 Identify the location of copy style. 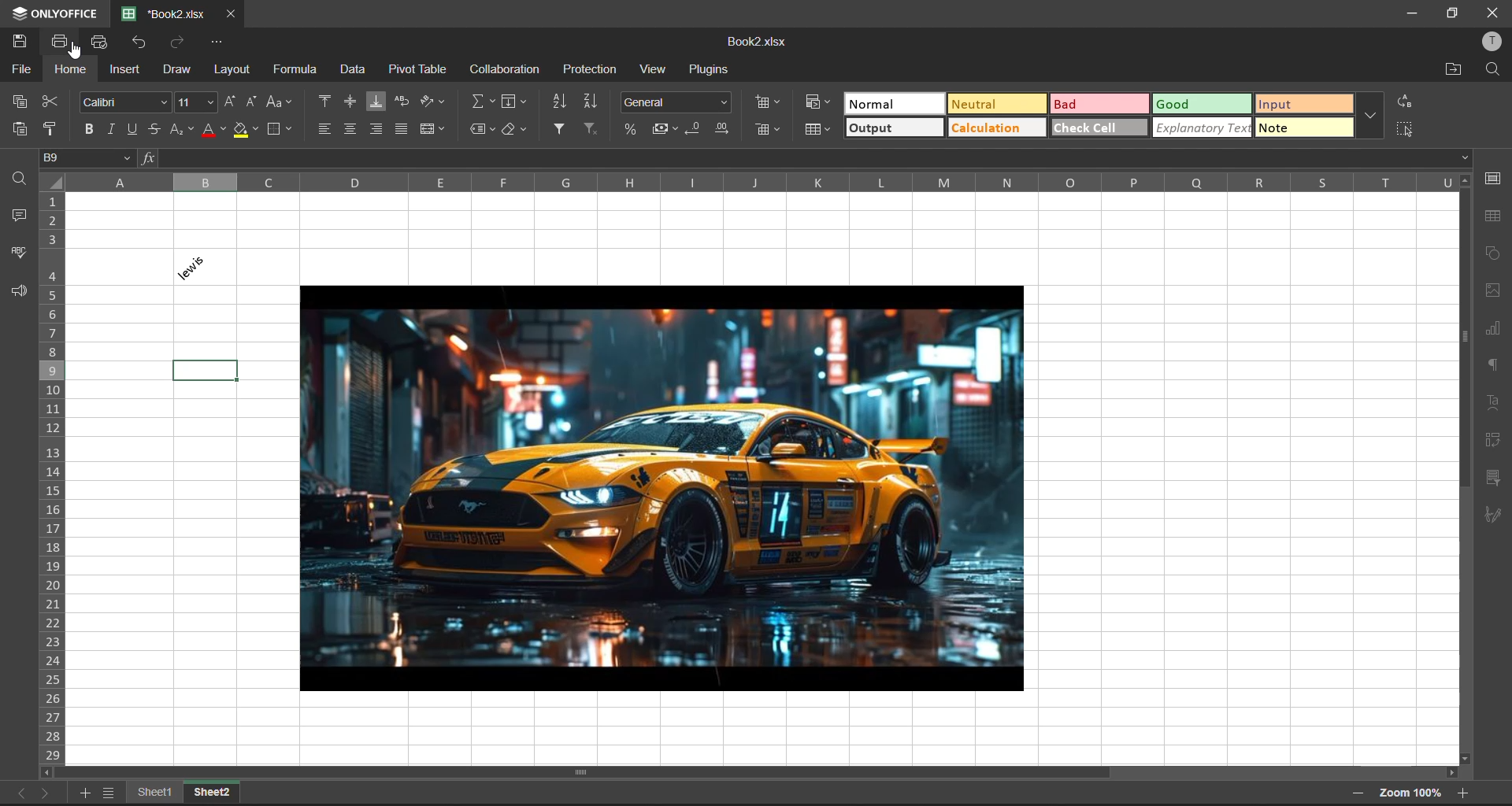
(53, 129).